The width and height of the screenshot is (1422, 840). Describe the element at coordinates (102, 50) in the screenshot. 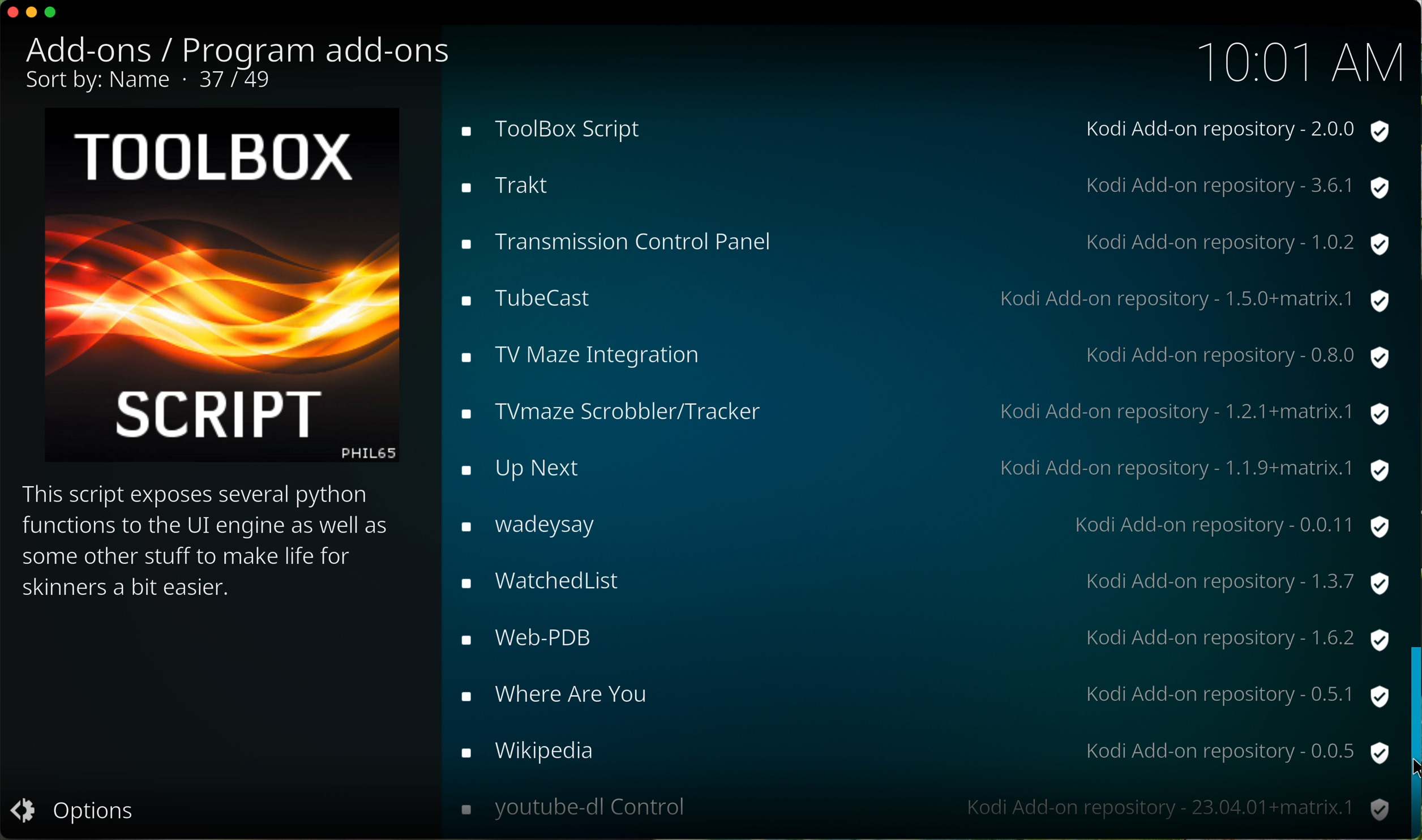

I see `add-ons ` at that location.